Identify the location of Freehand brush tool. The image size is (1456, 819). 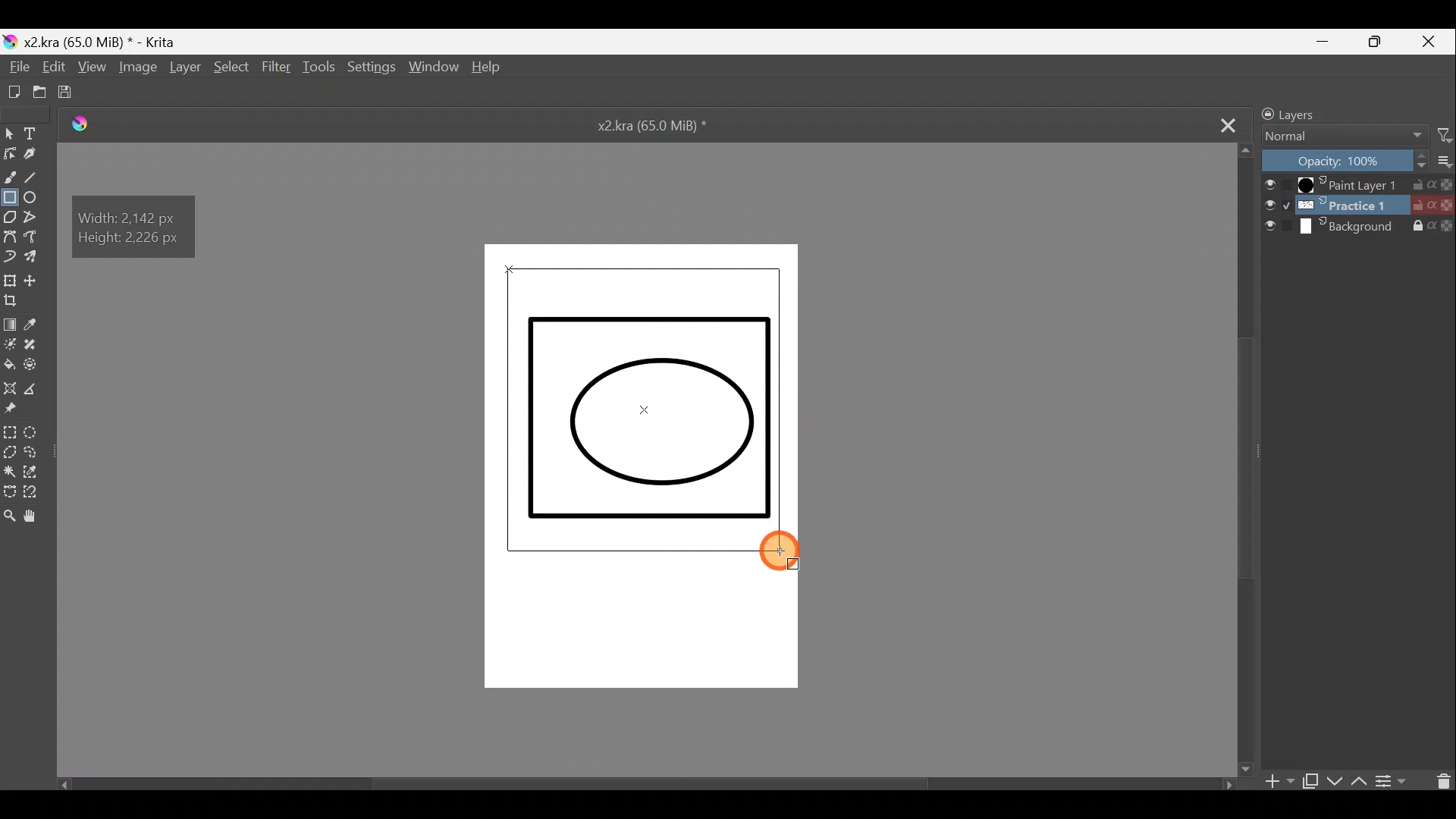
(9, 178).